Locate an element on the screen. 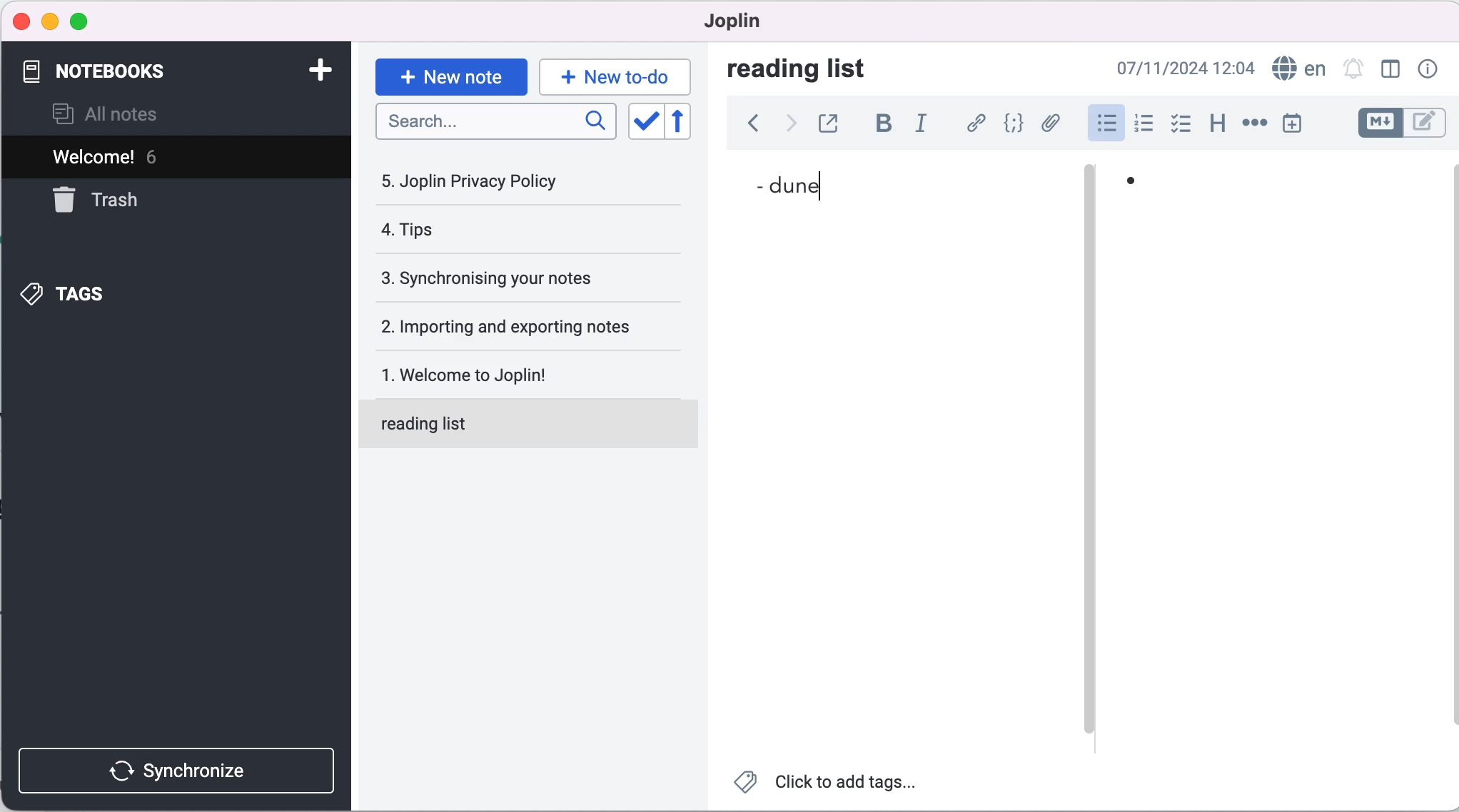 Image resolution: width=1459 pixels, height=812 pixels. new note is located at coordinates (449, 76).